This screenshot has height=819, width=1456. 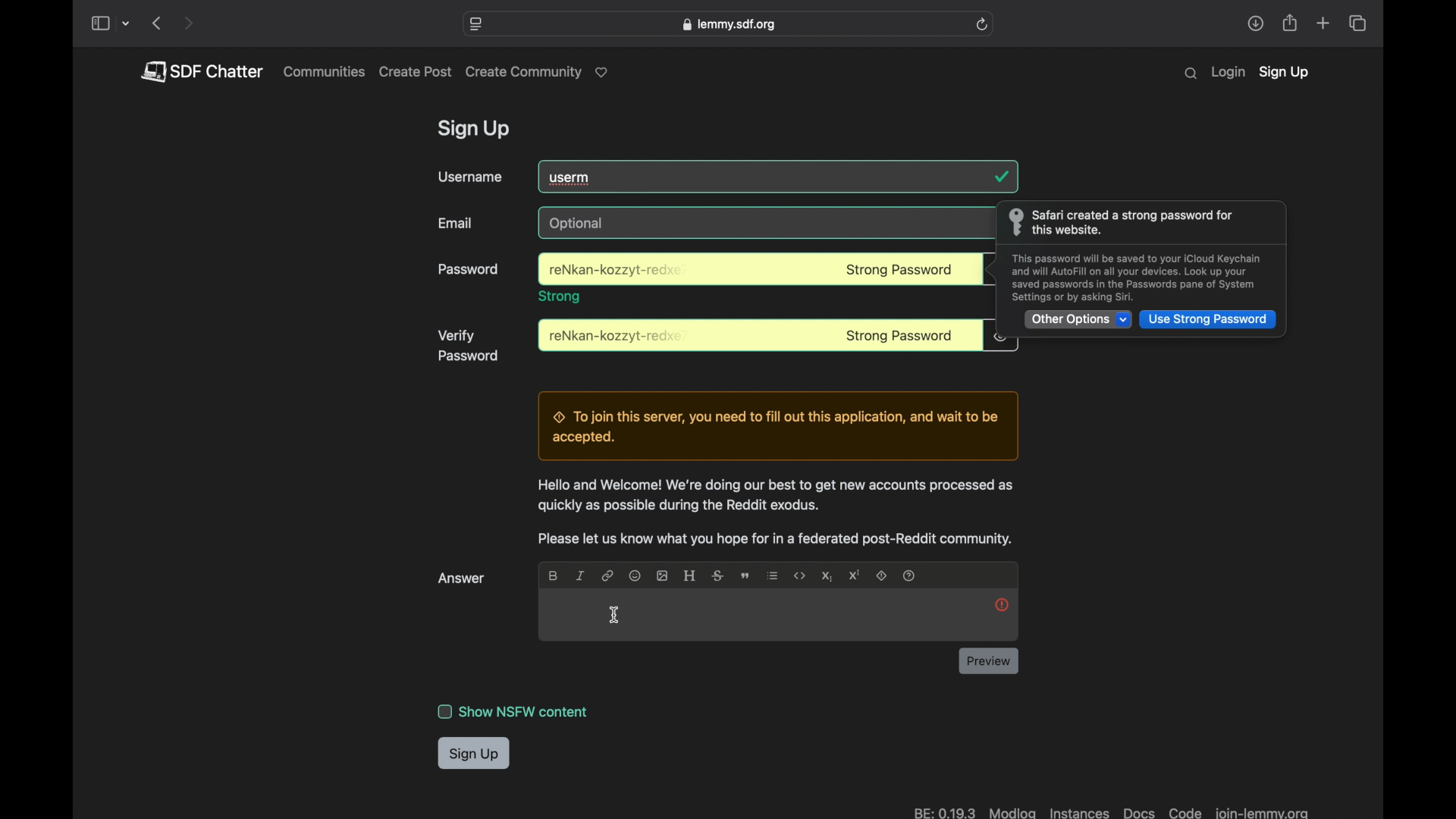 I want to click on superscript, so click(x=854, y=575).